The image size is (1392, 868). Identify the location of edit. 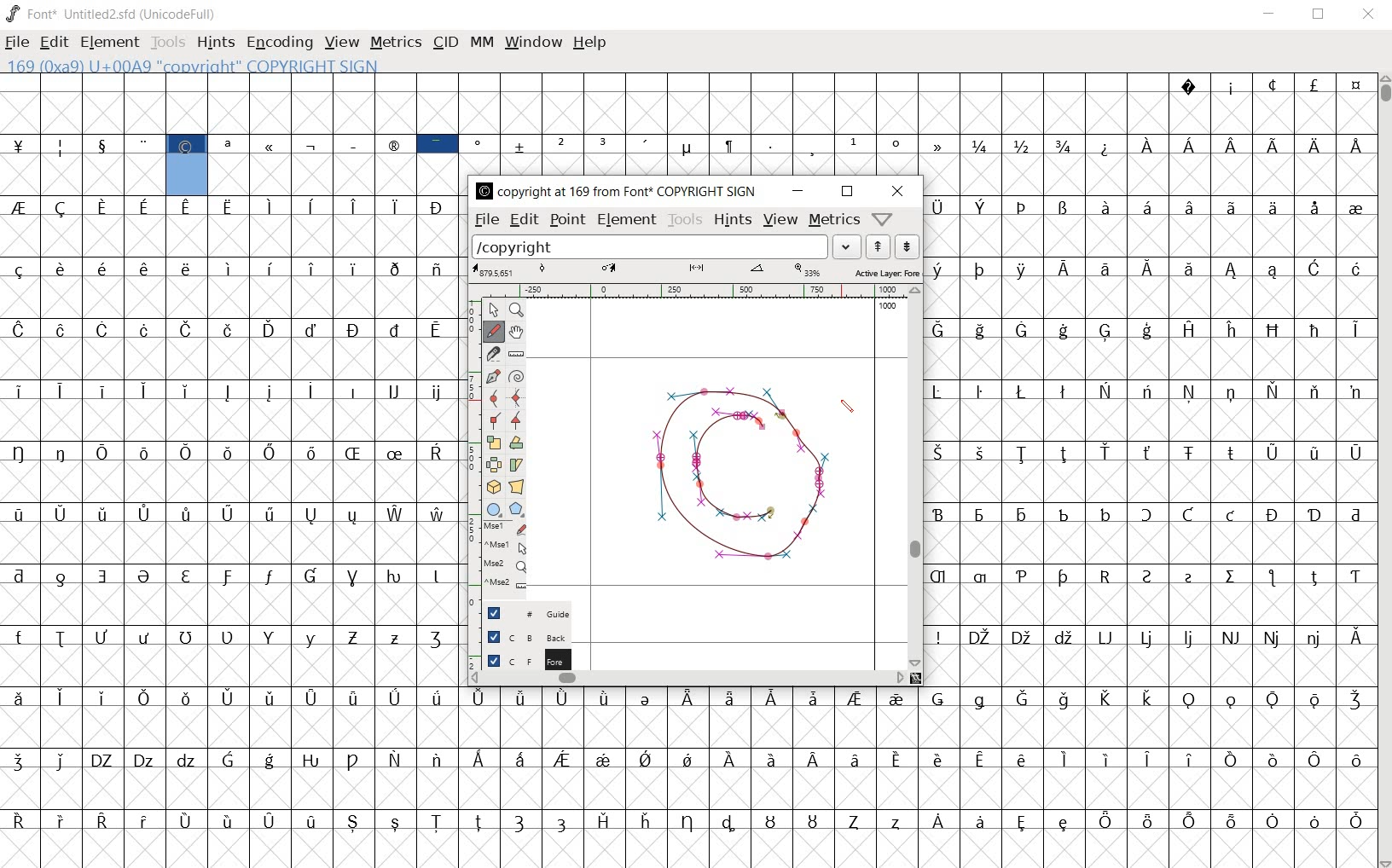
(522, 219).